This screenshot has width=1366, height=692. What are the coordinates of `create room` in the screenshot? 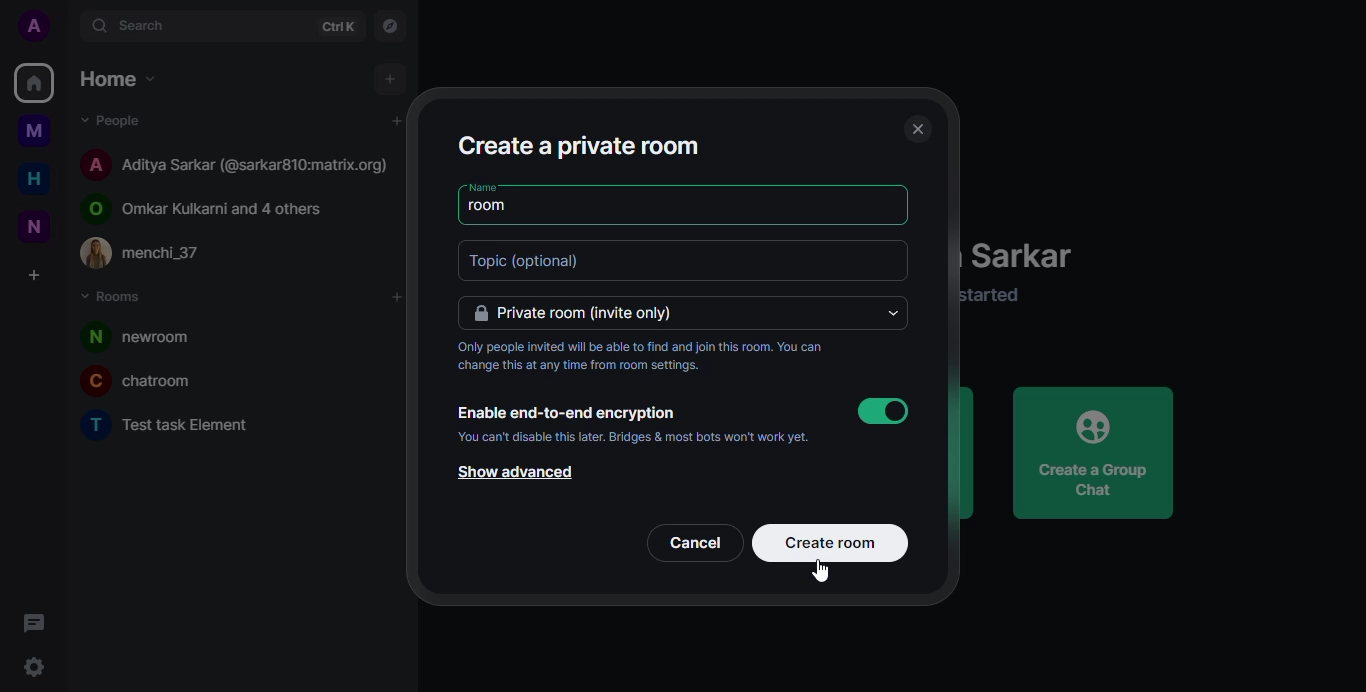 It's located at (832, 542).